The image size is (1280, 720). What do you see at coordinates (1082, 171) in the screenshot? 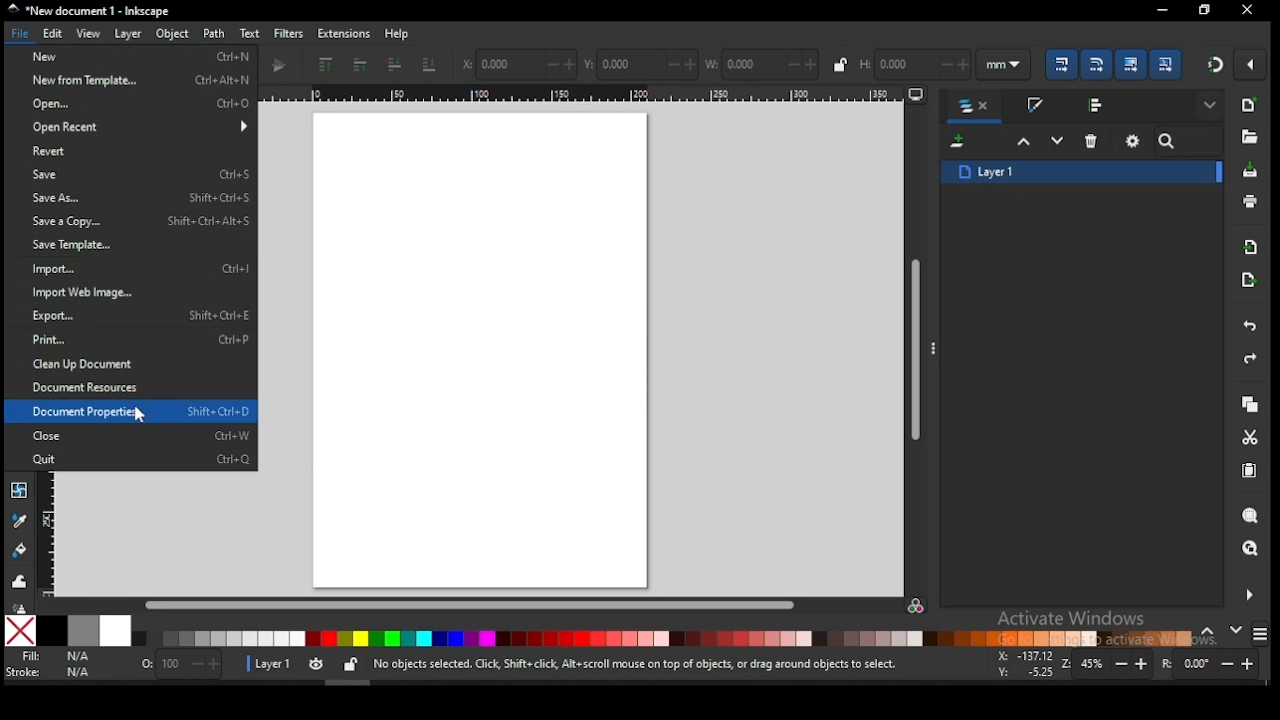
I see `layer 1` at bounding box center [1082, 171].